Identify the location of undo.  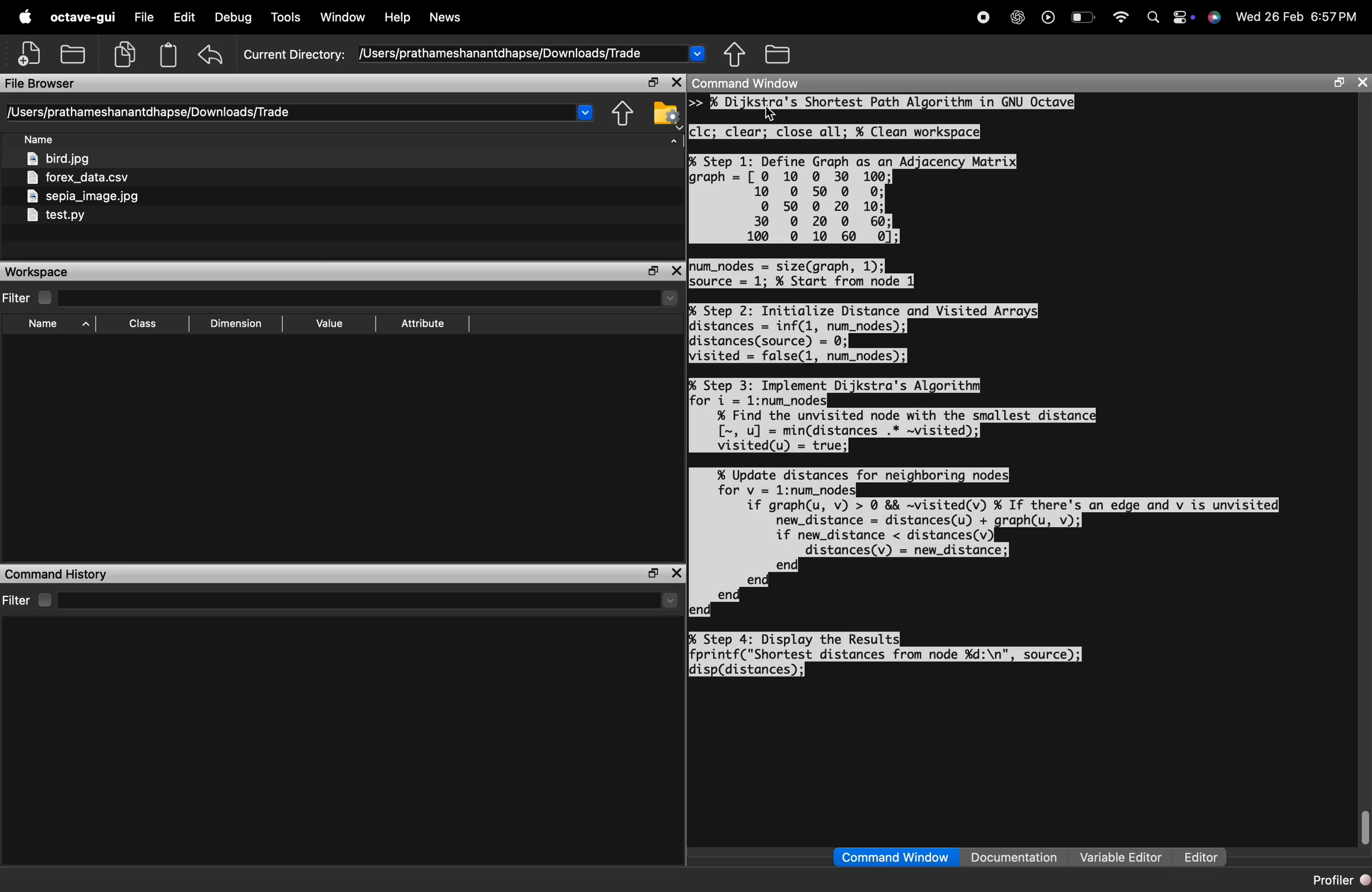
(211, 54).